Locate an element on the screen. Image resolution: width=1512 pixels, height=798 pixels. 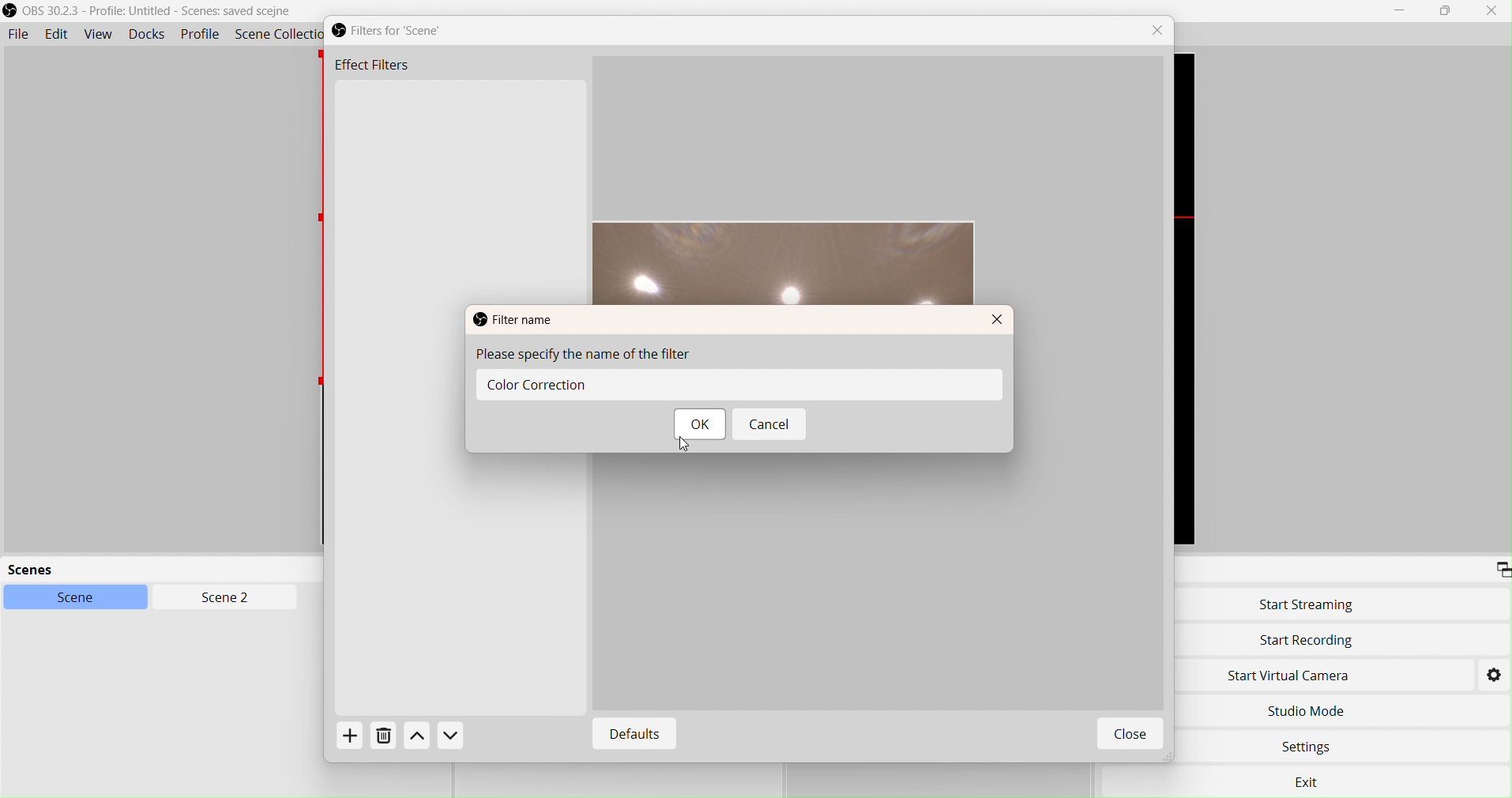
Cancel is located at coordinates (771, 427).